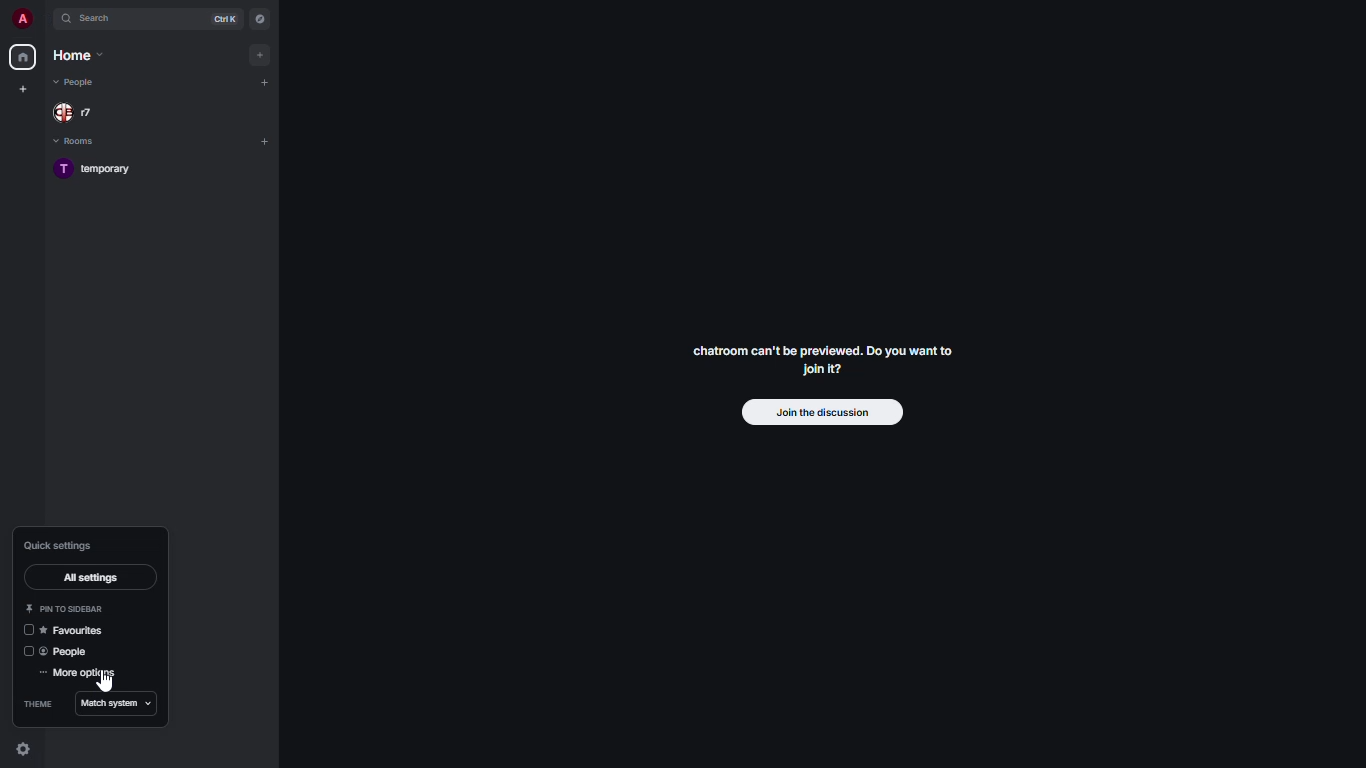 The image size is (1366, 768). I want to click on ctrl K, so click(225, 19).